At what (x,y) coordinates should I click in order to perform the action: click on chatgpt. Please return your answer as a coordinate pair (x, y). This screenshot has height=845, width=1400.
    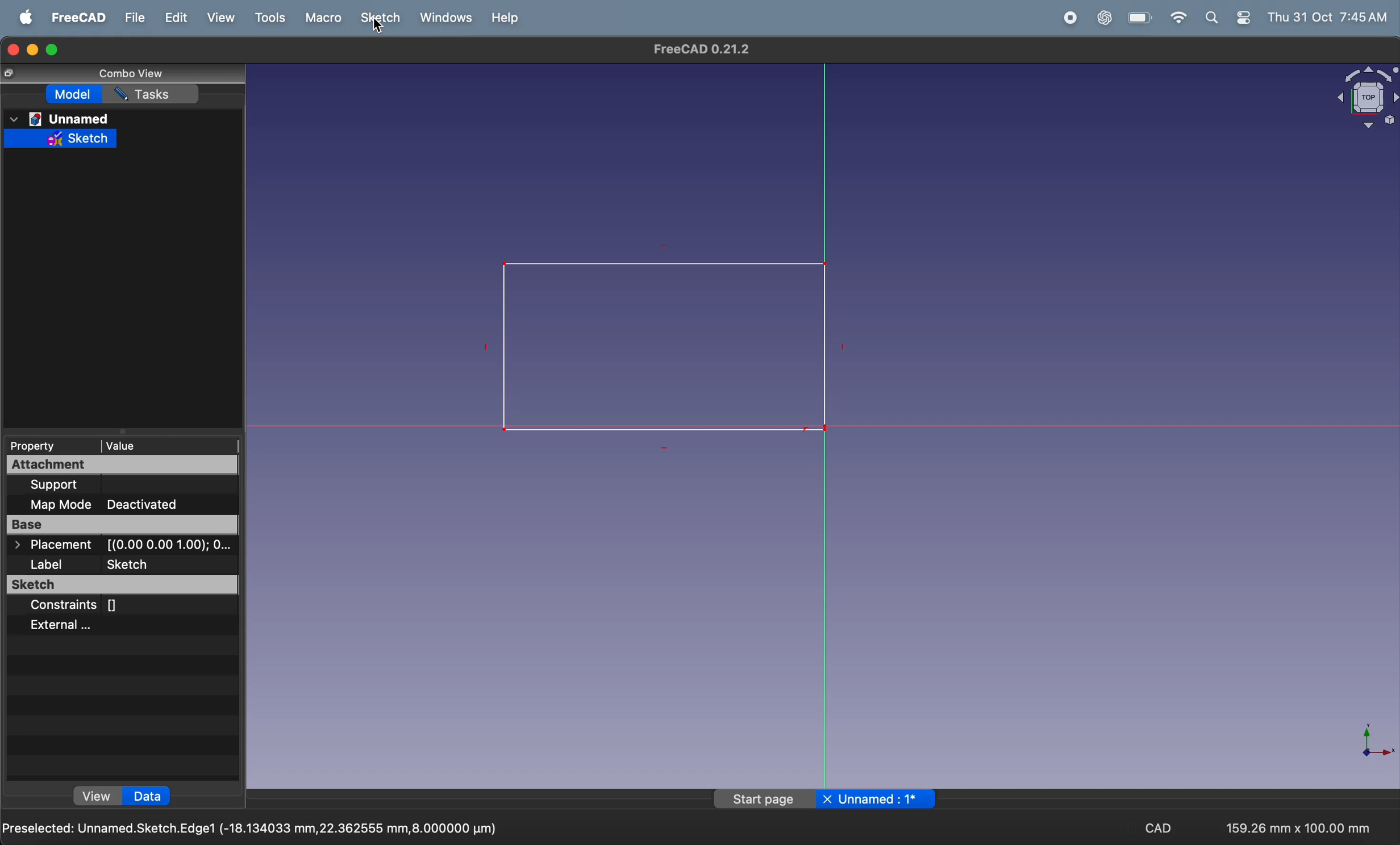
    Looking at the image, I should click on (1105, 19).